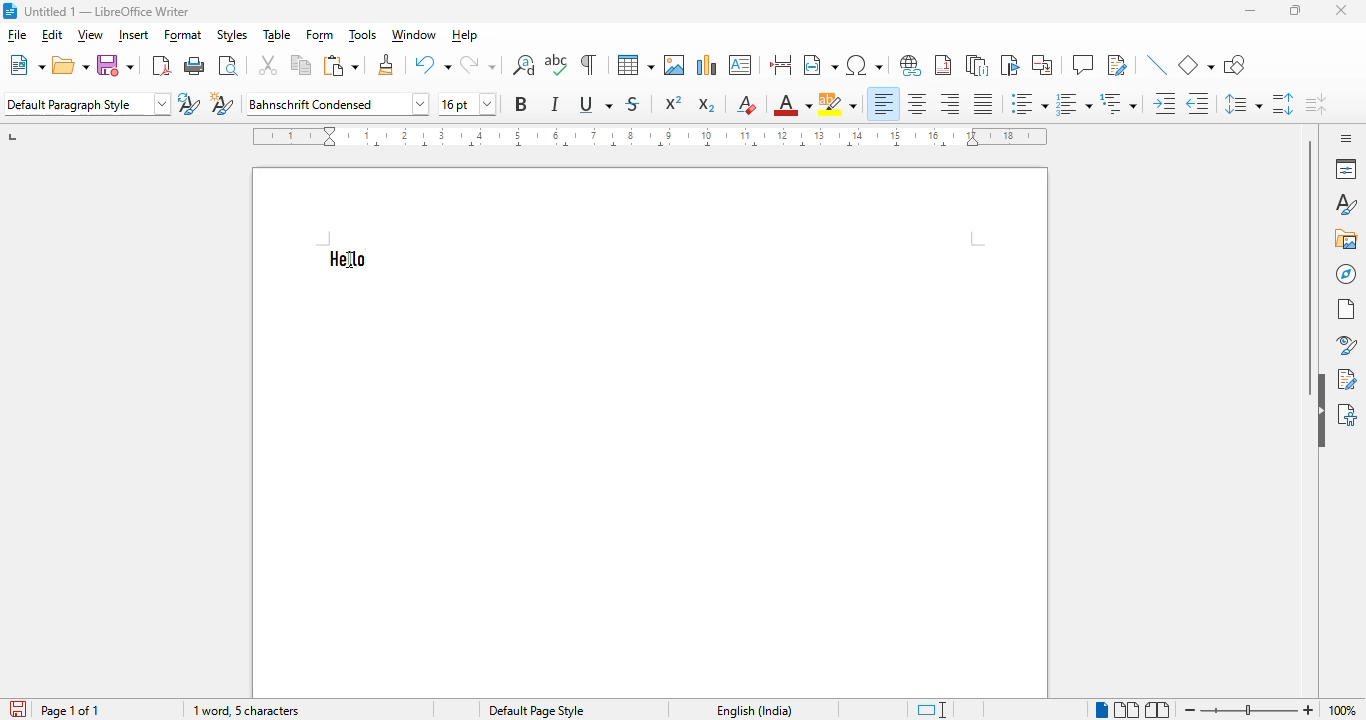 This screenshot has width=1366, height=720. Describe the element at coordinates (91, 36) in the screenshot. I see `view` at that location.